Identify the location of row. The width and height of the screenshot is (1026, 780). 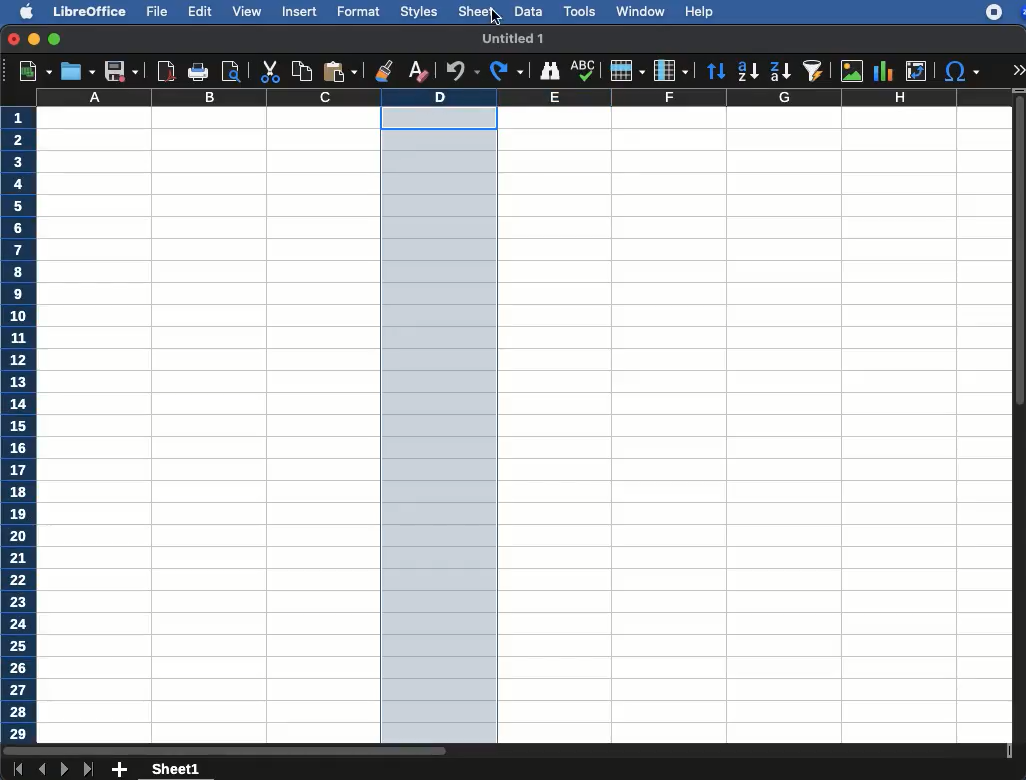
(627, 71).